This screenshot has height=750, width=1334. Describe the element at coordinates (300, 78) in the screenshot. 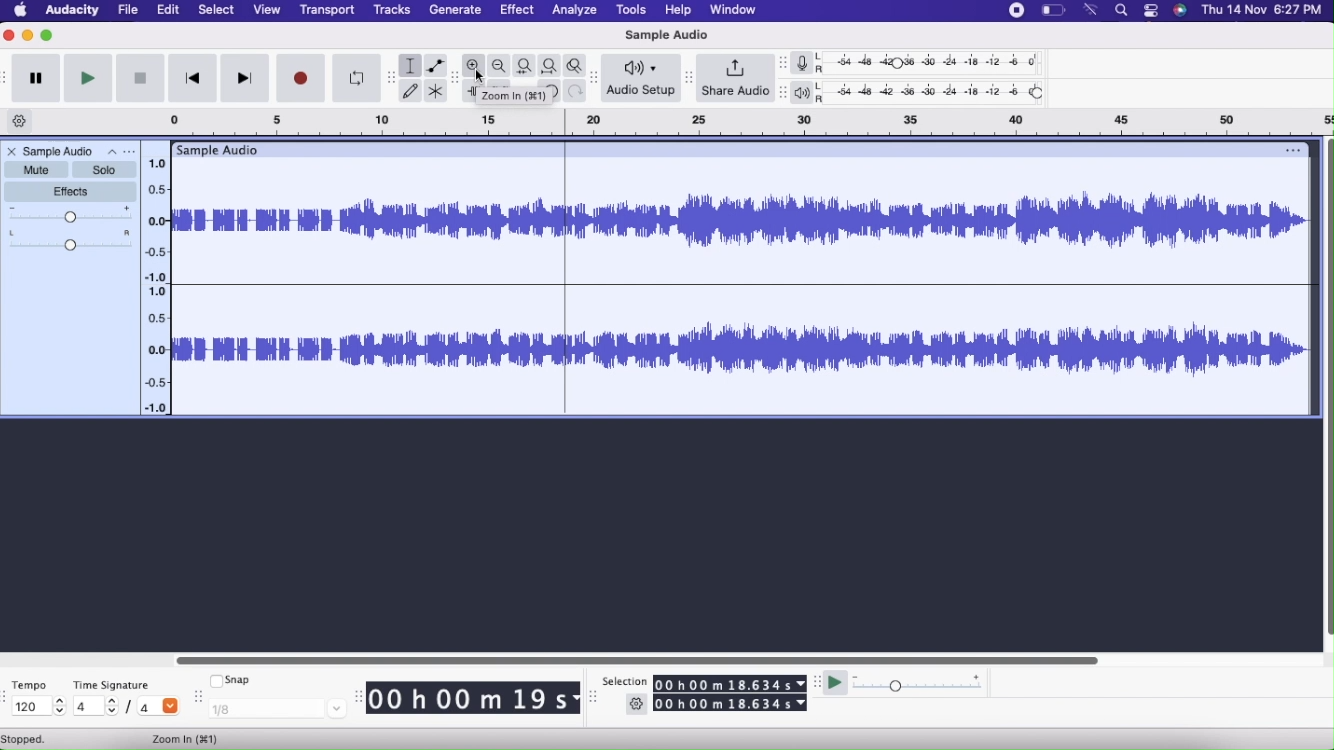

I see `Record` at that location.